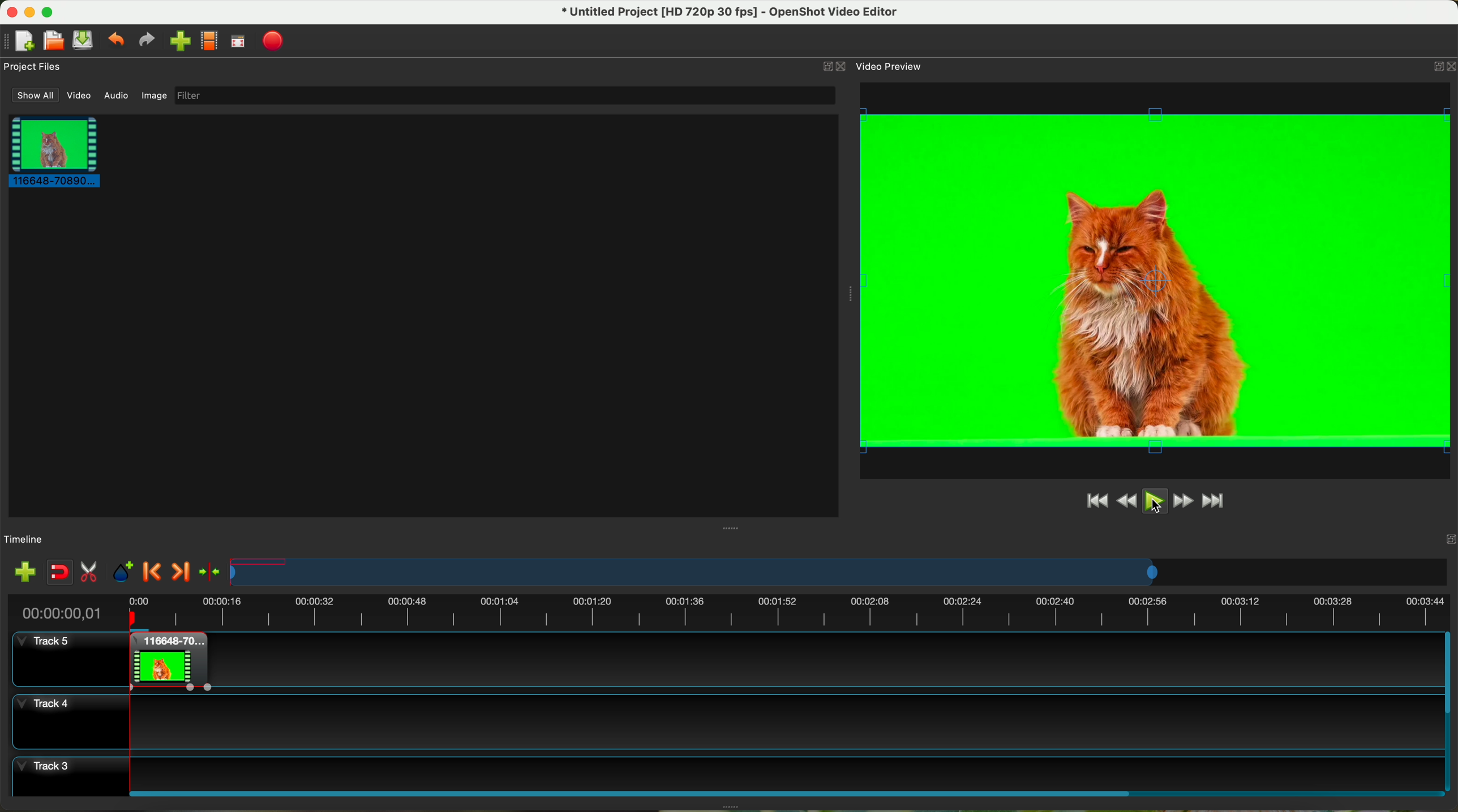 The image size is (1458, 812). What do you see at coordinates (60, 572) in the screenshot?
I see `disable snapping` at bounding box center [60, 572].